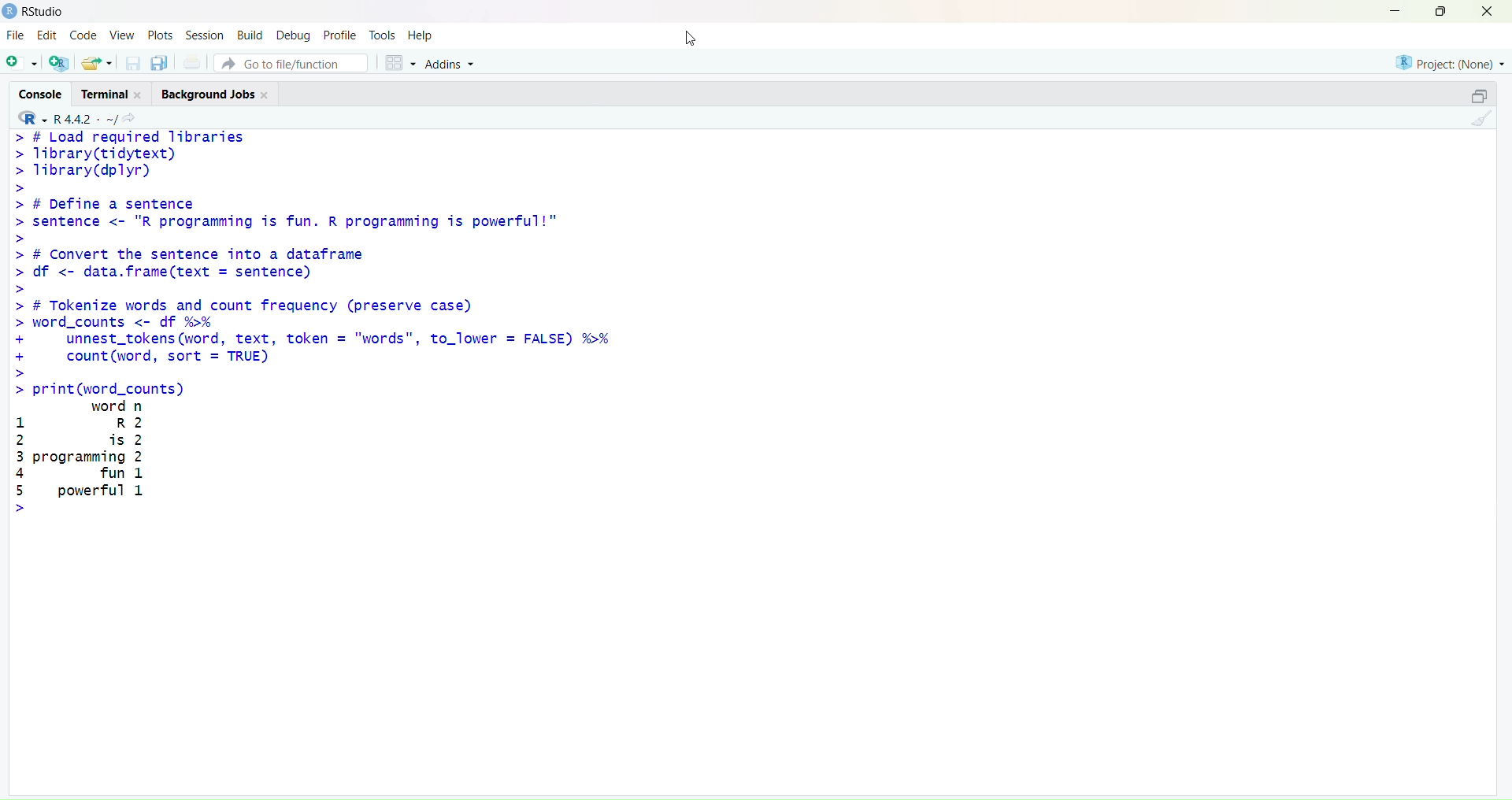  Describe the element at coordinates (43, 94) in the screenshot. I see `console` at that location.